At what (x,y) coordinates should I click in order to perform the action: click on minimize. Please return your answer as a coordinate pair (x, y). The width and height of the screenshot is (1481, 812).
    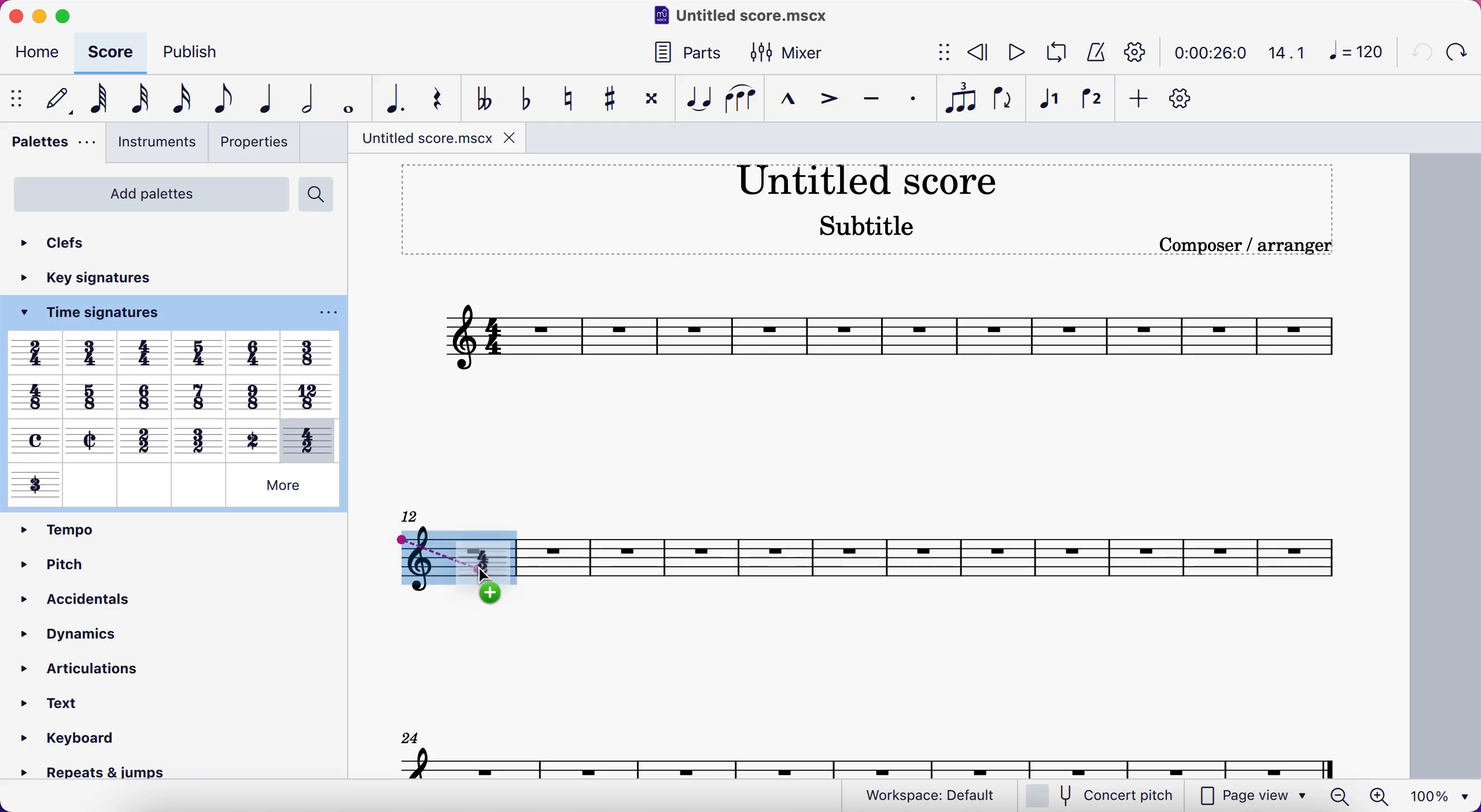
    Looking at the image, I should click on (40, 19).